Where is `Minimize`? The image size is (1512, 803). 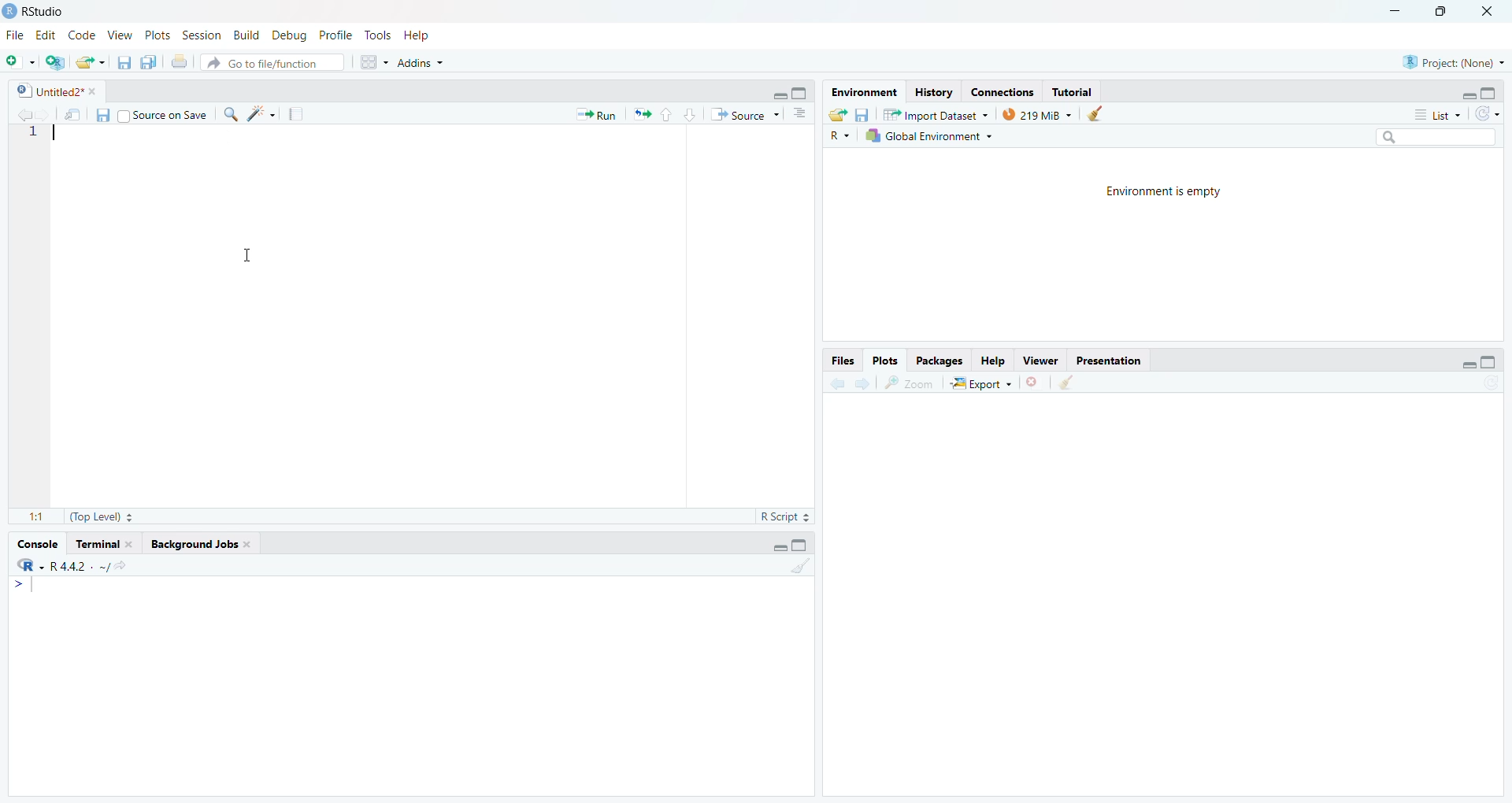 Minimize is located at coordinates (1396, 13).